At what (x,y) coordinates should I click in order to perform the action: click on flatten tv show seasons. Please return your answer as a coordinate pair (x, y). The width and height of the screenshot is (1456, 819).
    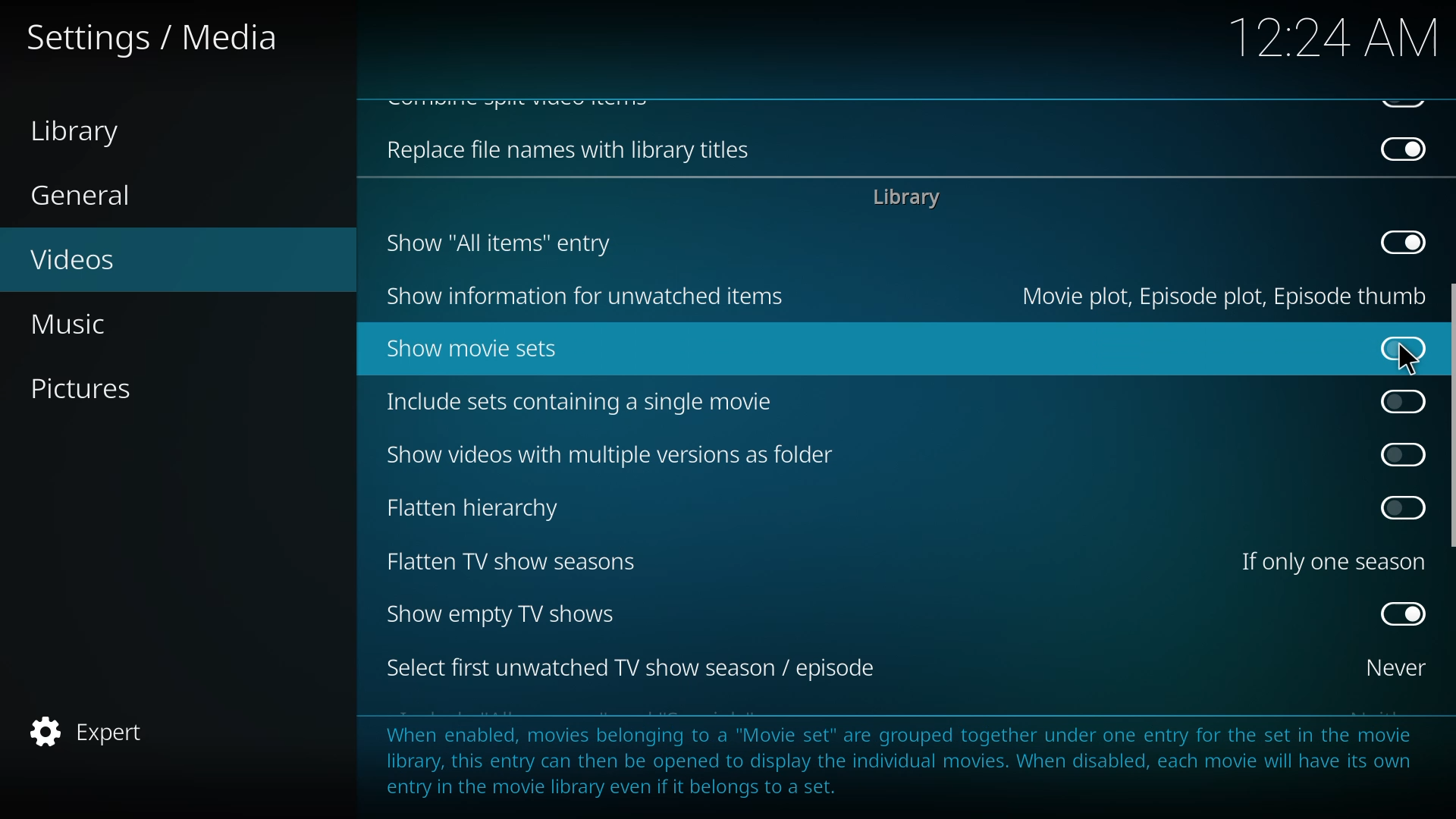
    Looking at the image, I should click on (513, 562).